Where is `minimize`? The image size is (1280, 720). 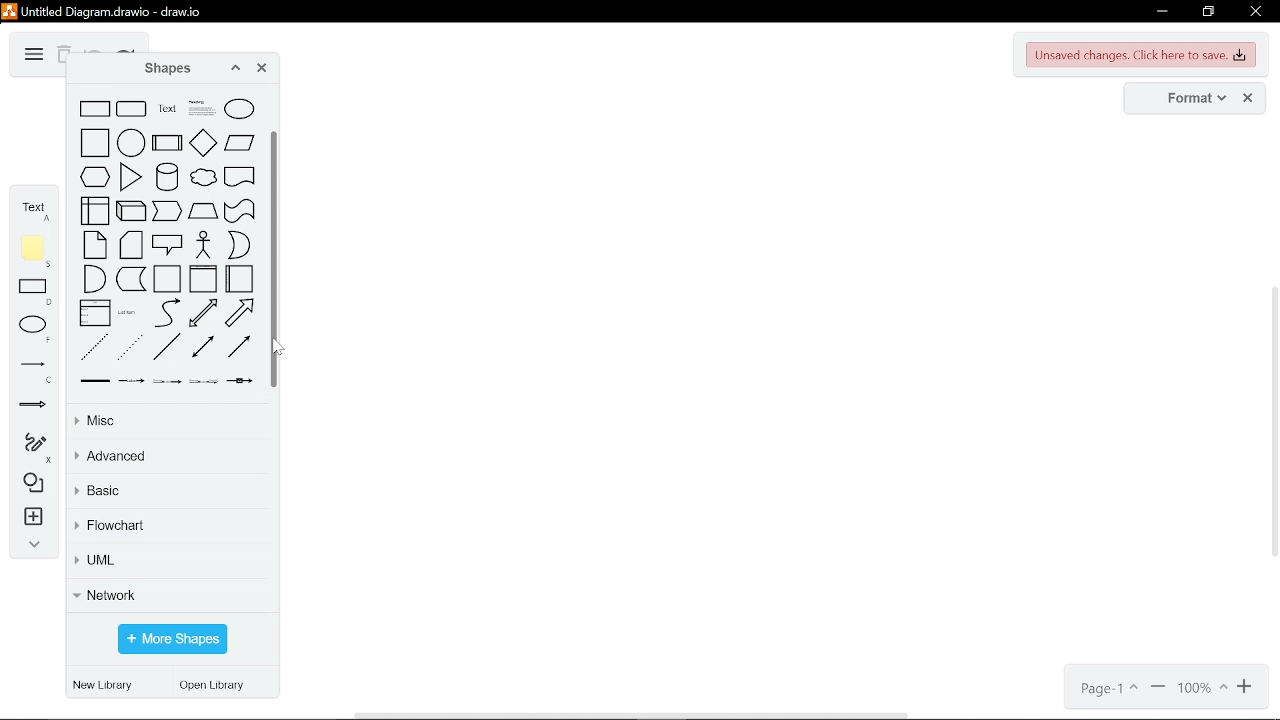
minimize is located at coordinates (1160, 12).